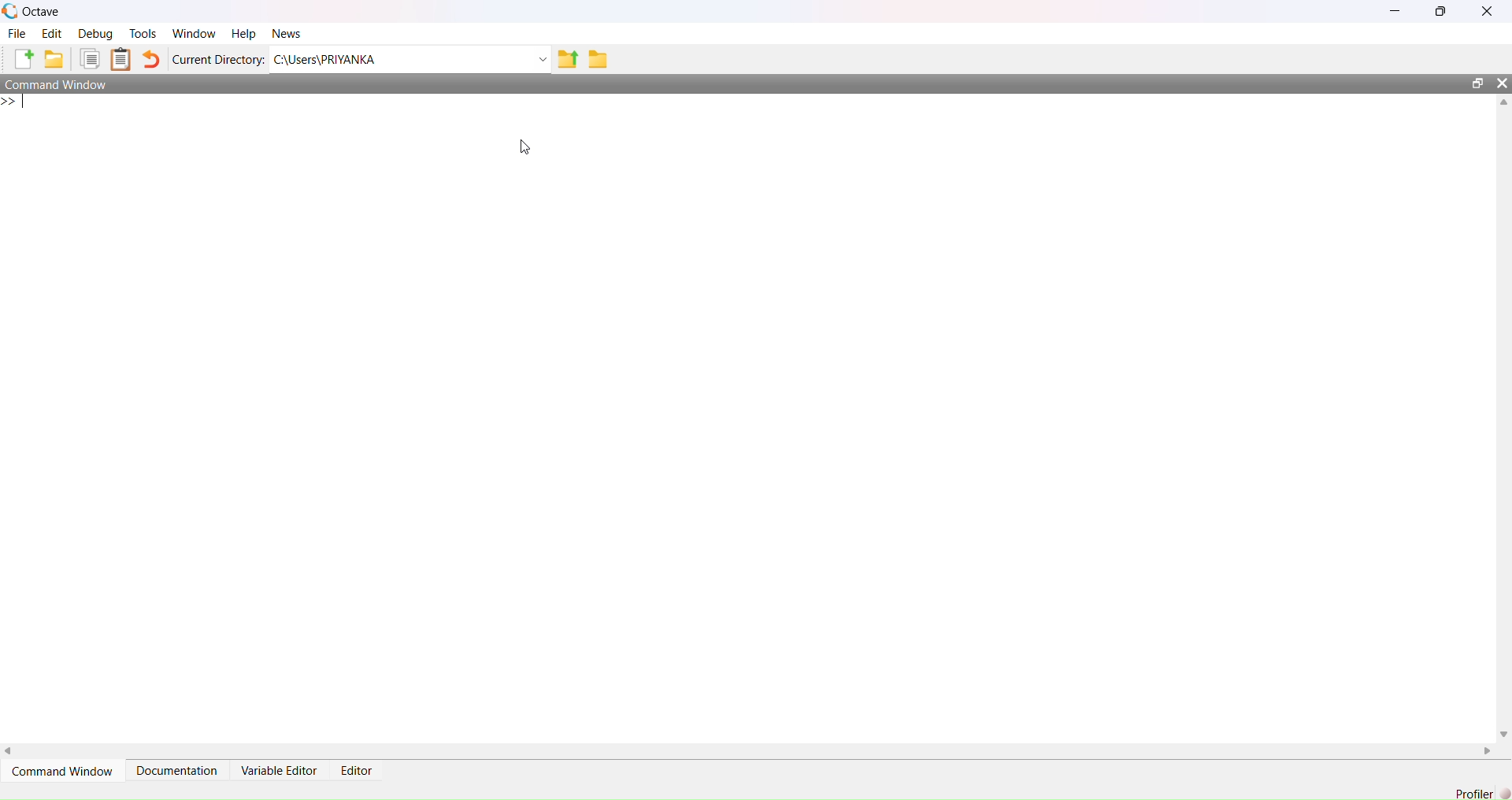  What do you see at coordinates (180, 770) in the screenshot?
I see `Documentation` at bounding box center [180, 770].